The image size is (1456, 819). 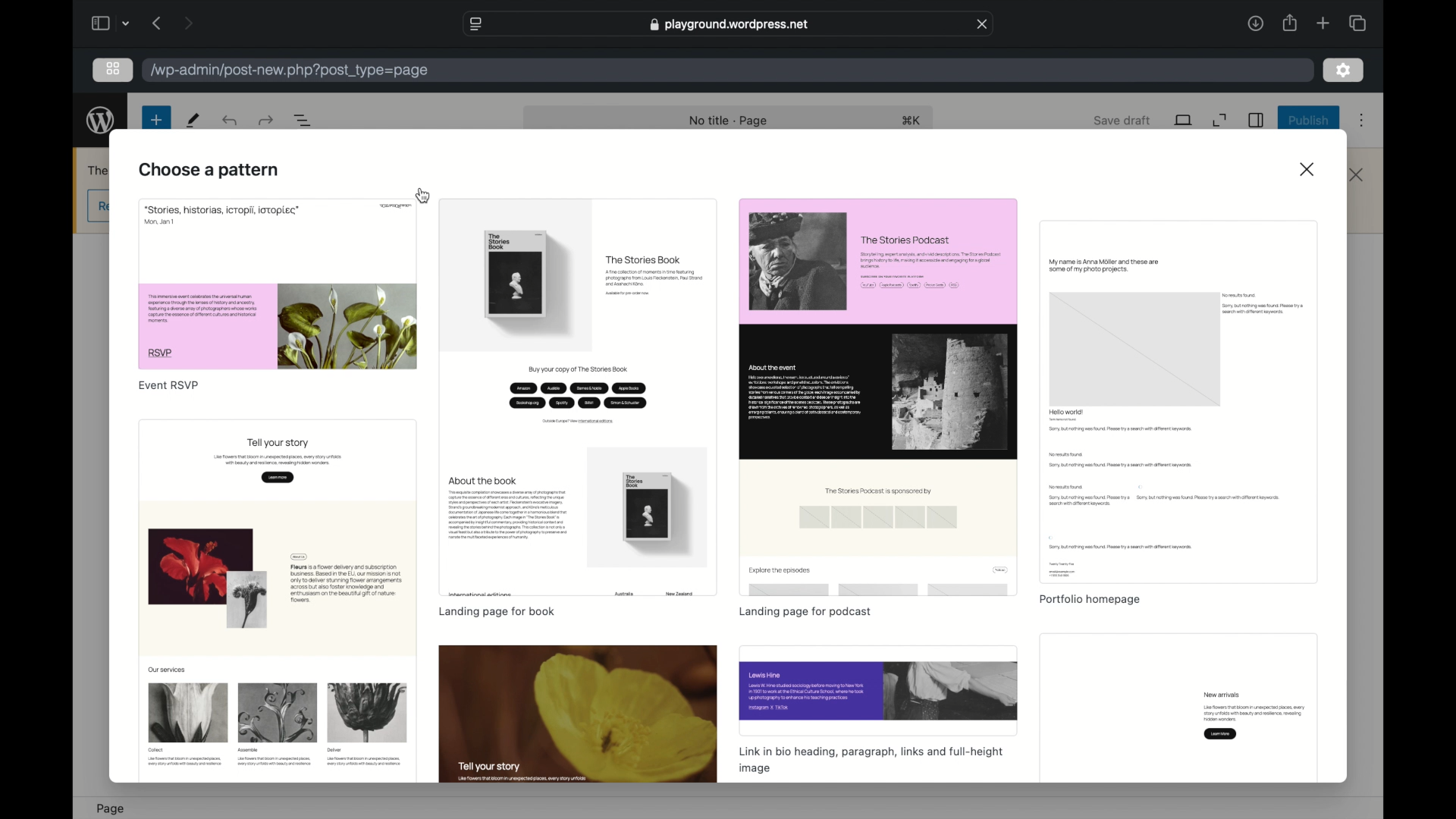 I want to click on more options, so click(x=1362, y=121).